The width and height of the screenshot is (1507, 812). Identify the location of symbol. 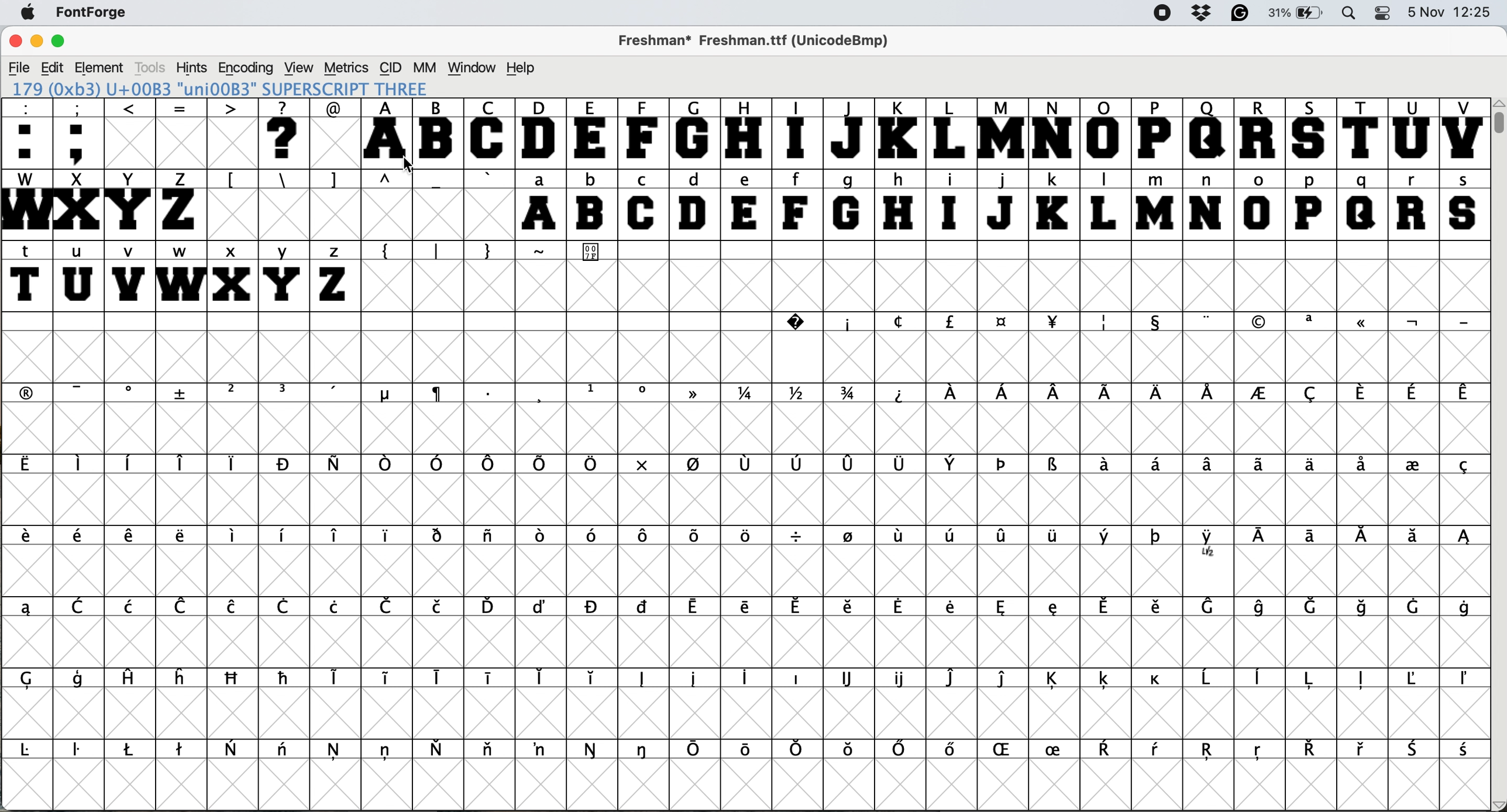
(694, 608).